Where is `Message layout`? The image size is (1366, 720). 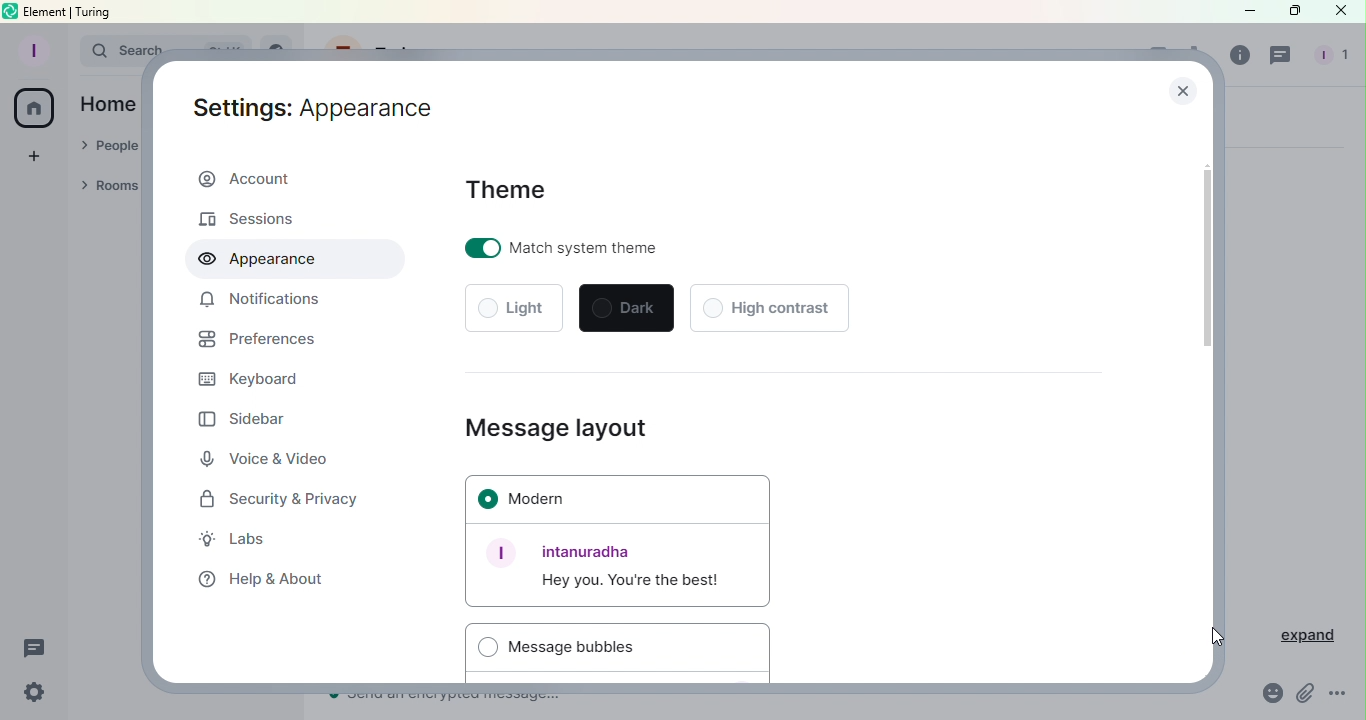 Message layout is located at coordinates (561, 424).